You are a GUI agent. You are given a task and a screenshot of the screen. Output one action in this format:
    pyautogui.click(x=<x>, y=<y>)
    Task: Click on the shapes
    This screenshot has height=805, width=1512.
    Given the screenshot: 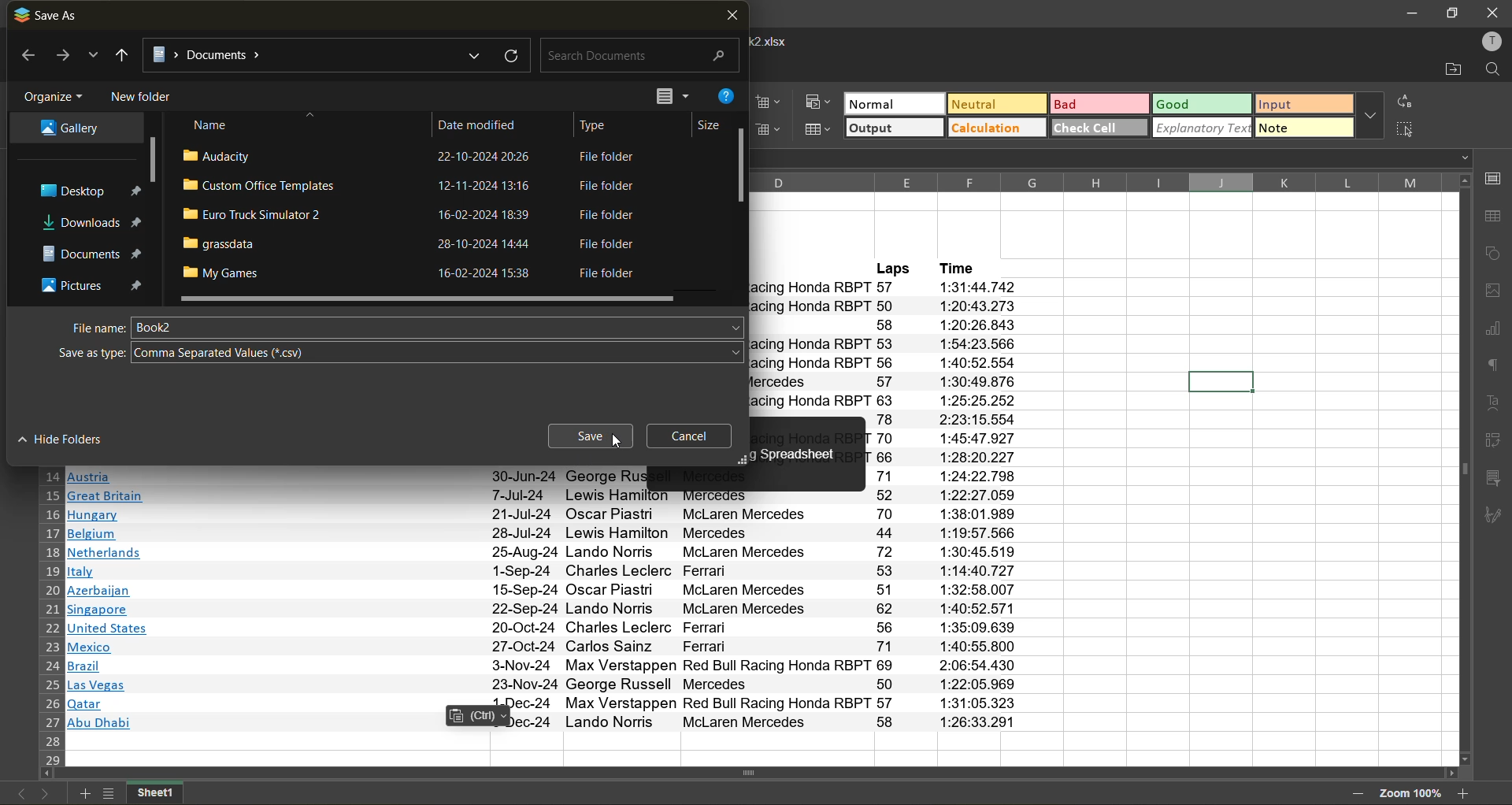 What is the action you would take?
    pyautogui.click(x=1494, y=257)
    